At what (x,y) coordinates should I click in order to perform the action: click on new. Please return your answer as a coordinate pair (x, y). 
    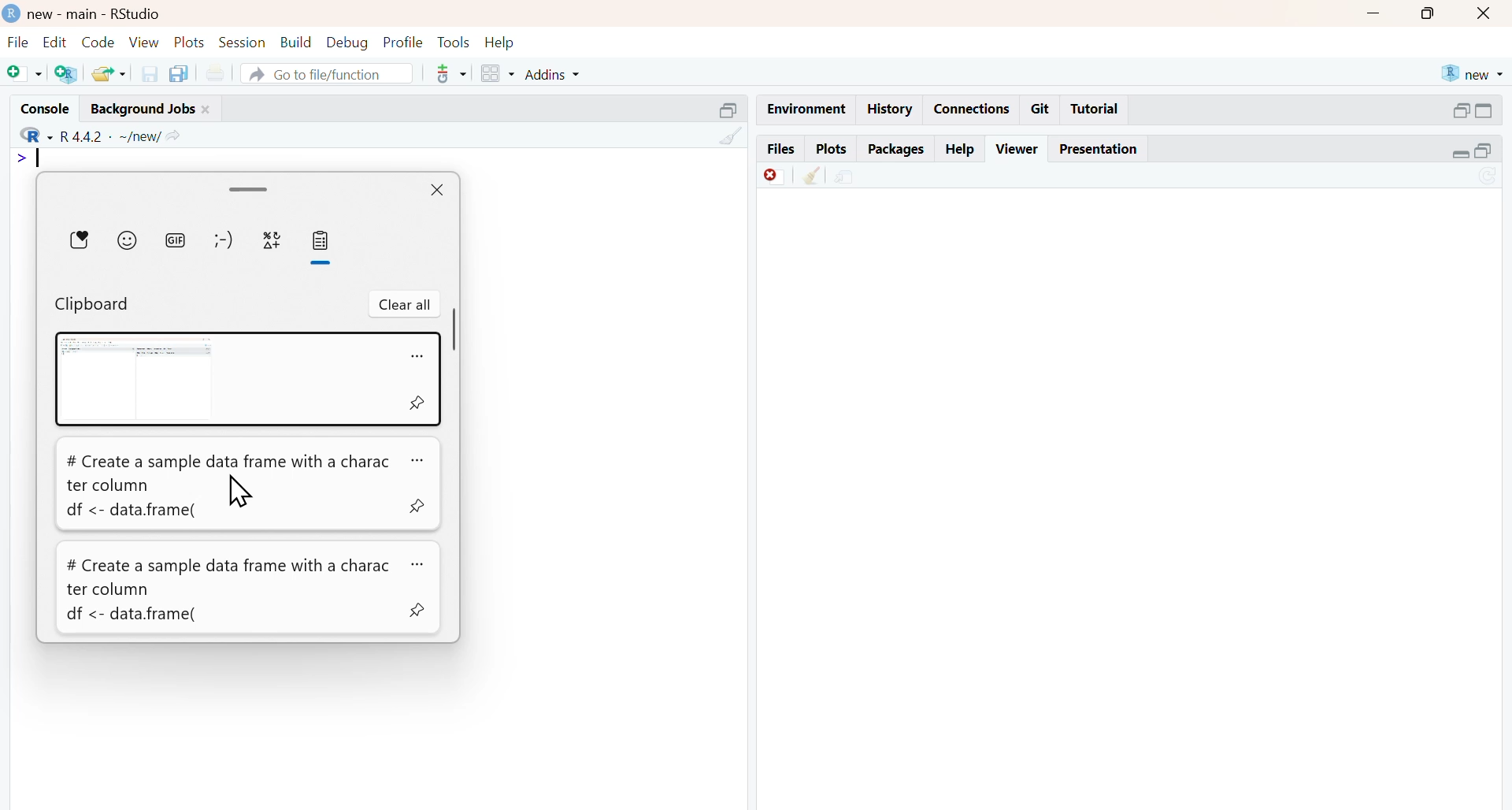
    Looking at the image, I should click on (1473, 73).